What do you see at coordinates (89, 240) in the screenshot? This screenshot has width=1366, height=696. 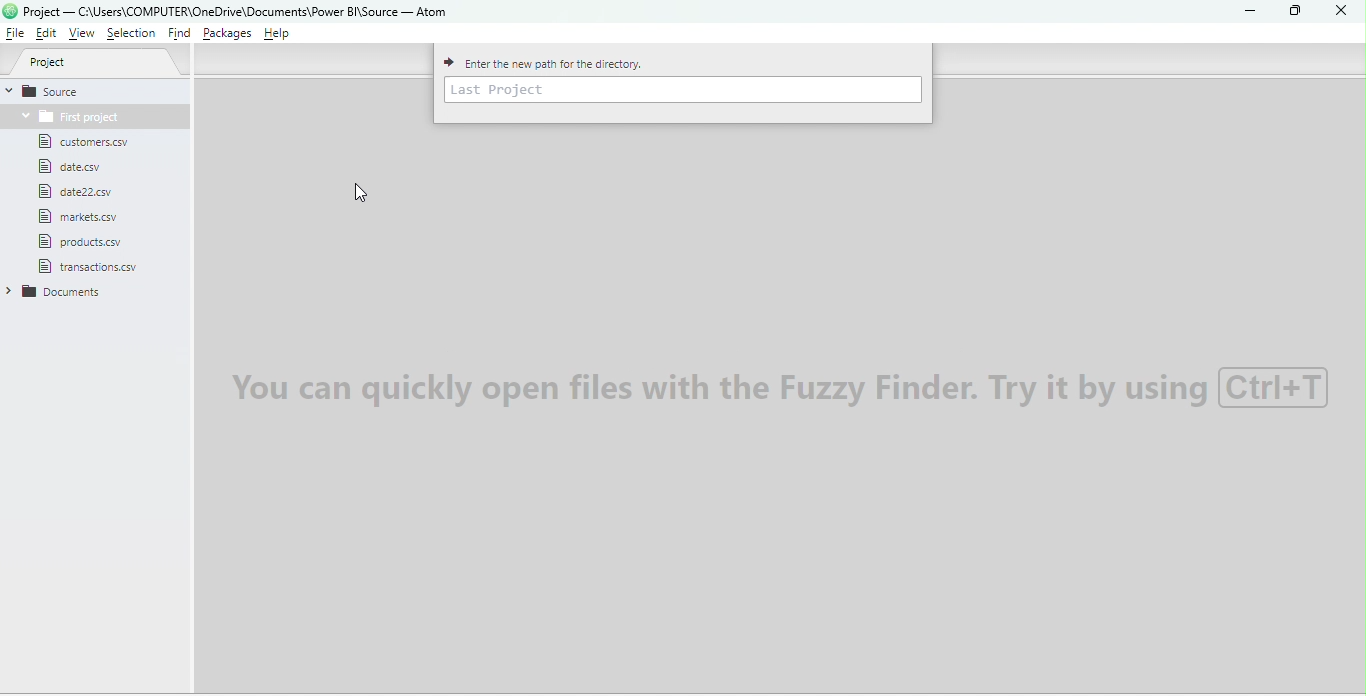 I see `File` at bounding box center [89, 240].